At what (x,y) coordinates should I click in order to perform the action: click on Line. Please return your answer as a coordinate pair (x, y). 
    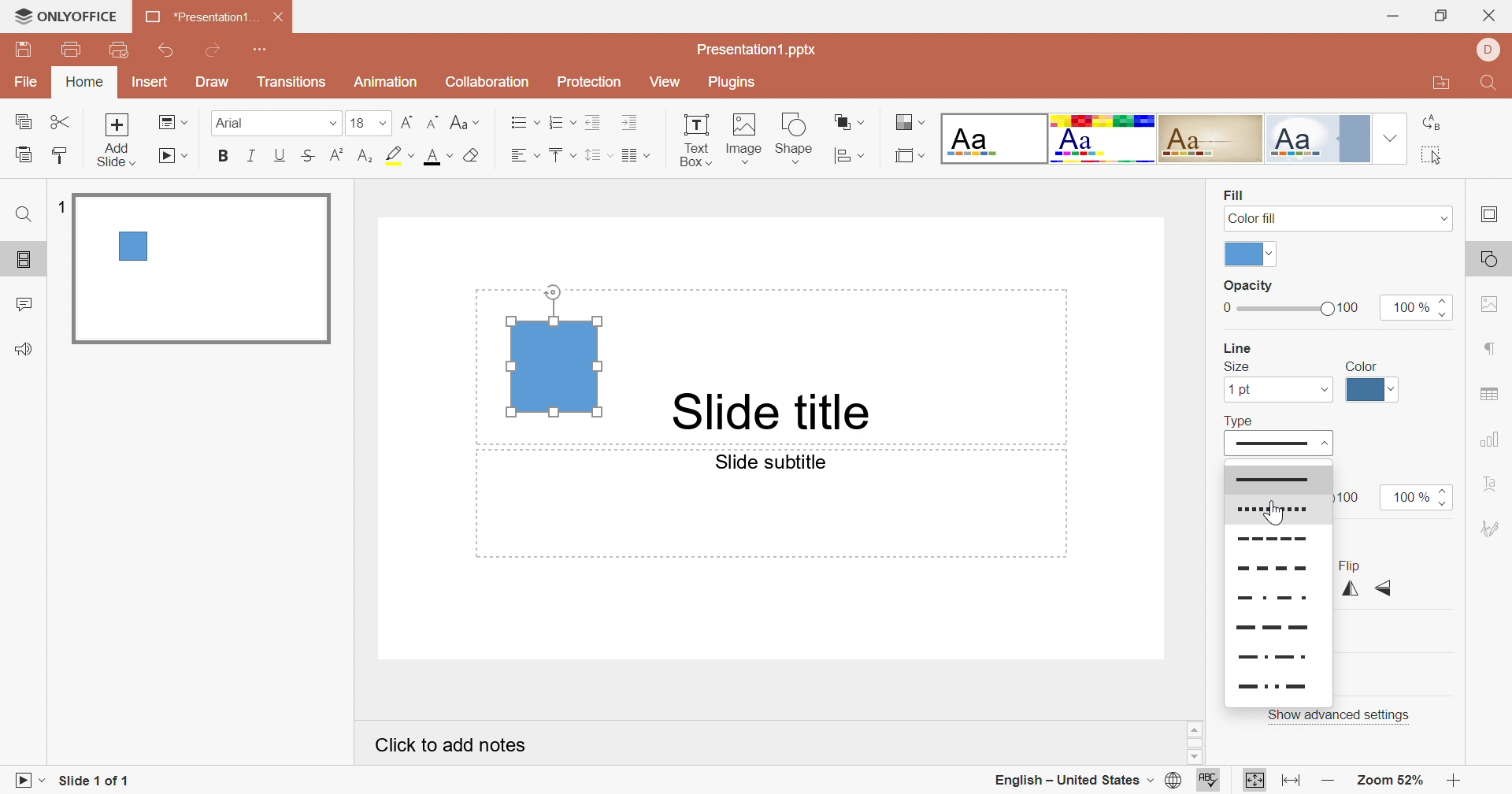
    Looking at the image, I should click on (1234, 347).